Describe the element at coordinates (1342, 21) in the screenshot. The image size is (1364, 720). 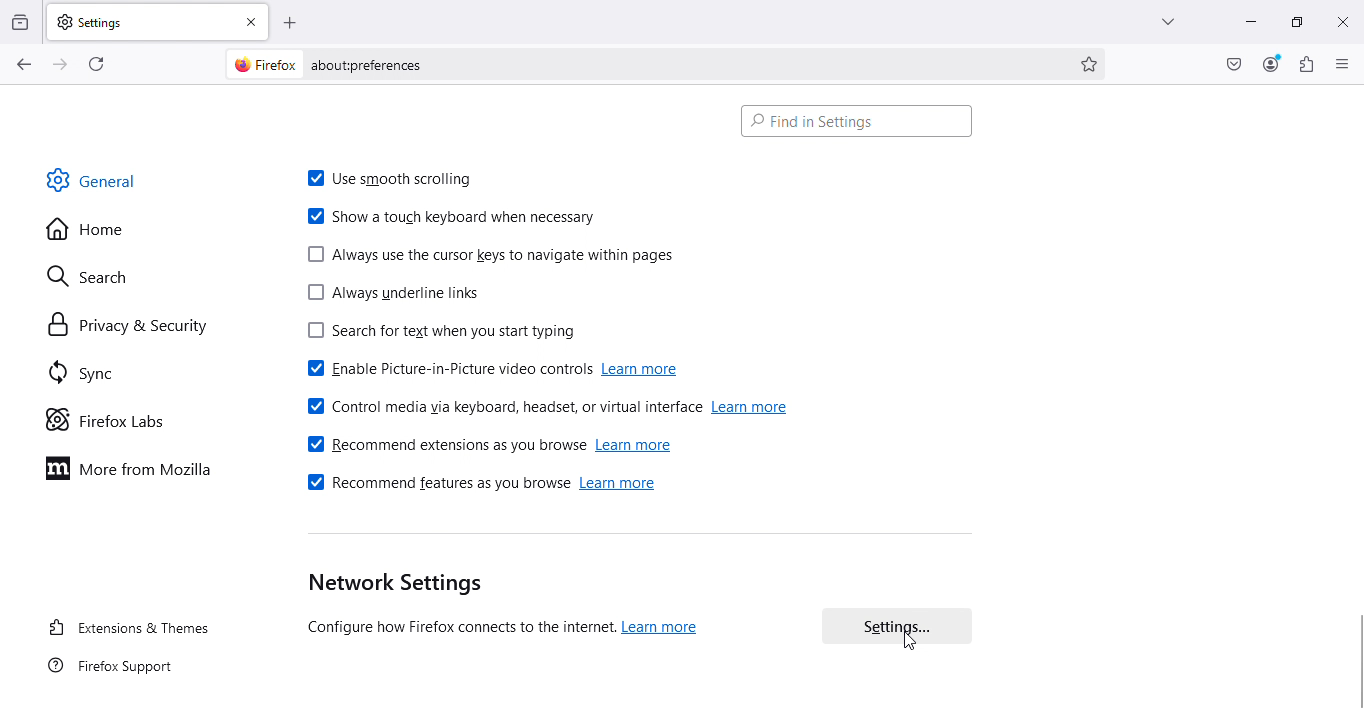
I see `Close` at that location.